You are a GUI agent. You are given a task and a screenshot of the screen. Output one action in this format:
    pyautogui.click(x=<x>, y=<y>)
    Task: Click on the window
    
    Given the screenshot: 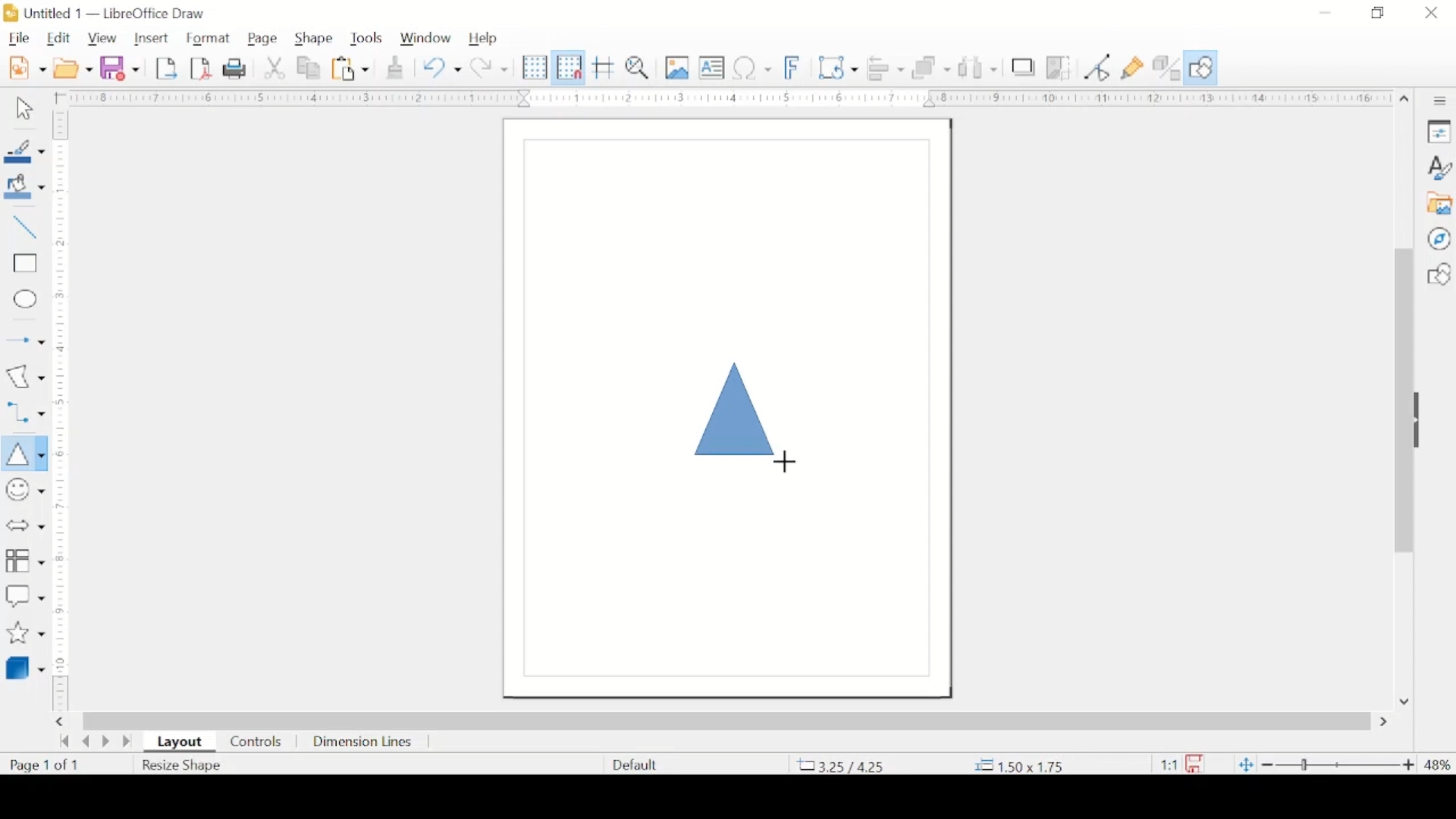 What is the action you would take?
    pyautogui.click(x=425, y=36)
    